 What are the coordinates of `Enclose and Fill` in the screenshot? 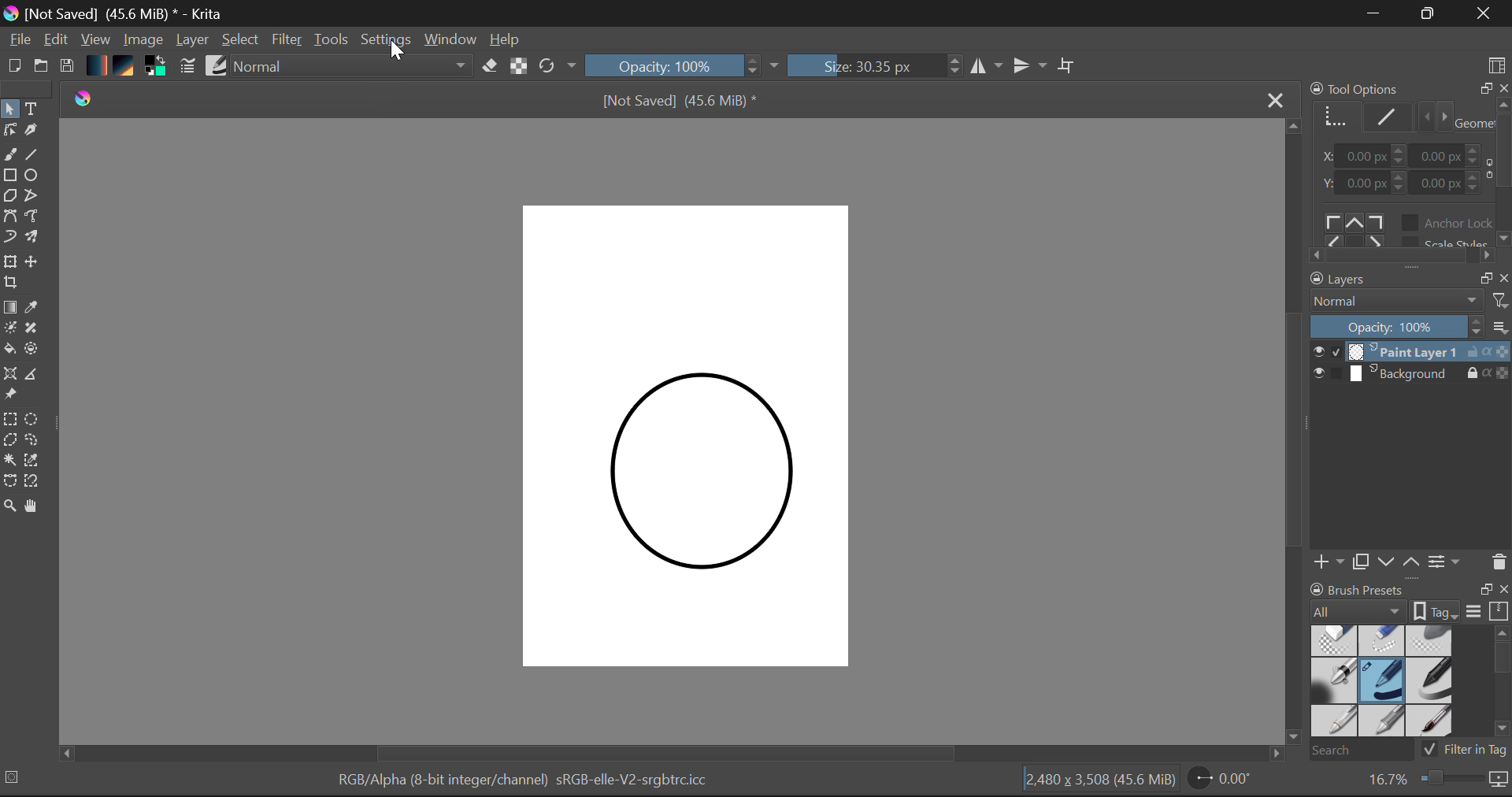 It's located at (36, 352).